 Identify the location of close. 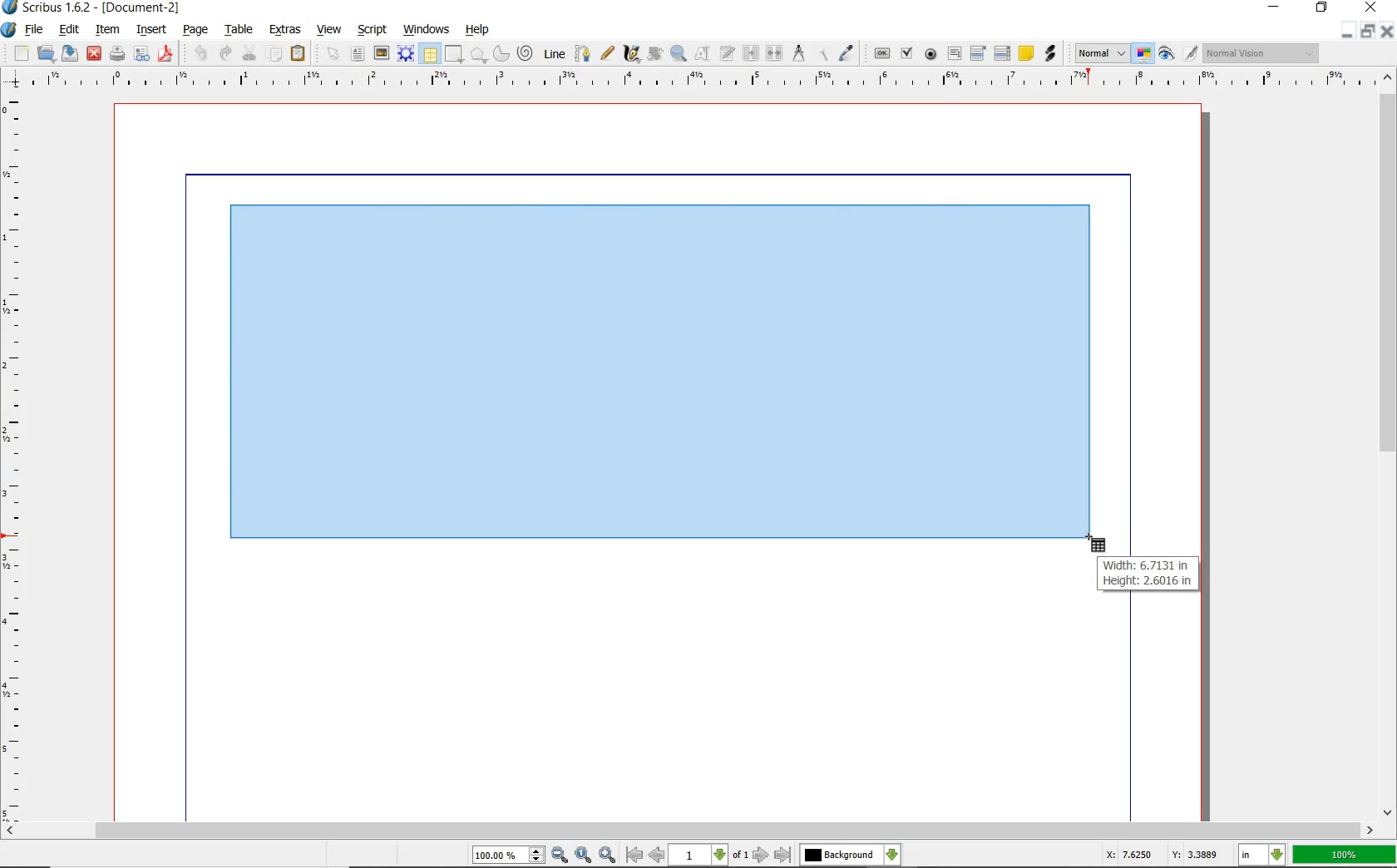
(93, 54).